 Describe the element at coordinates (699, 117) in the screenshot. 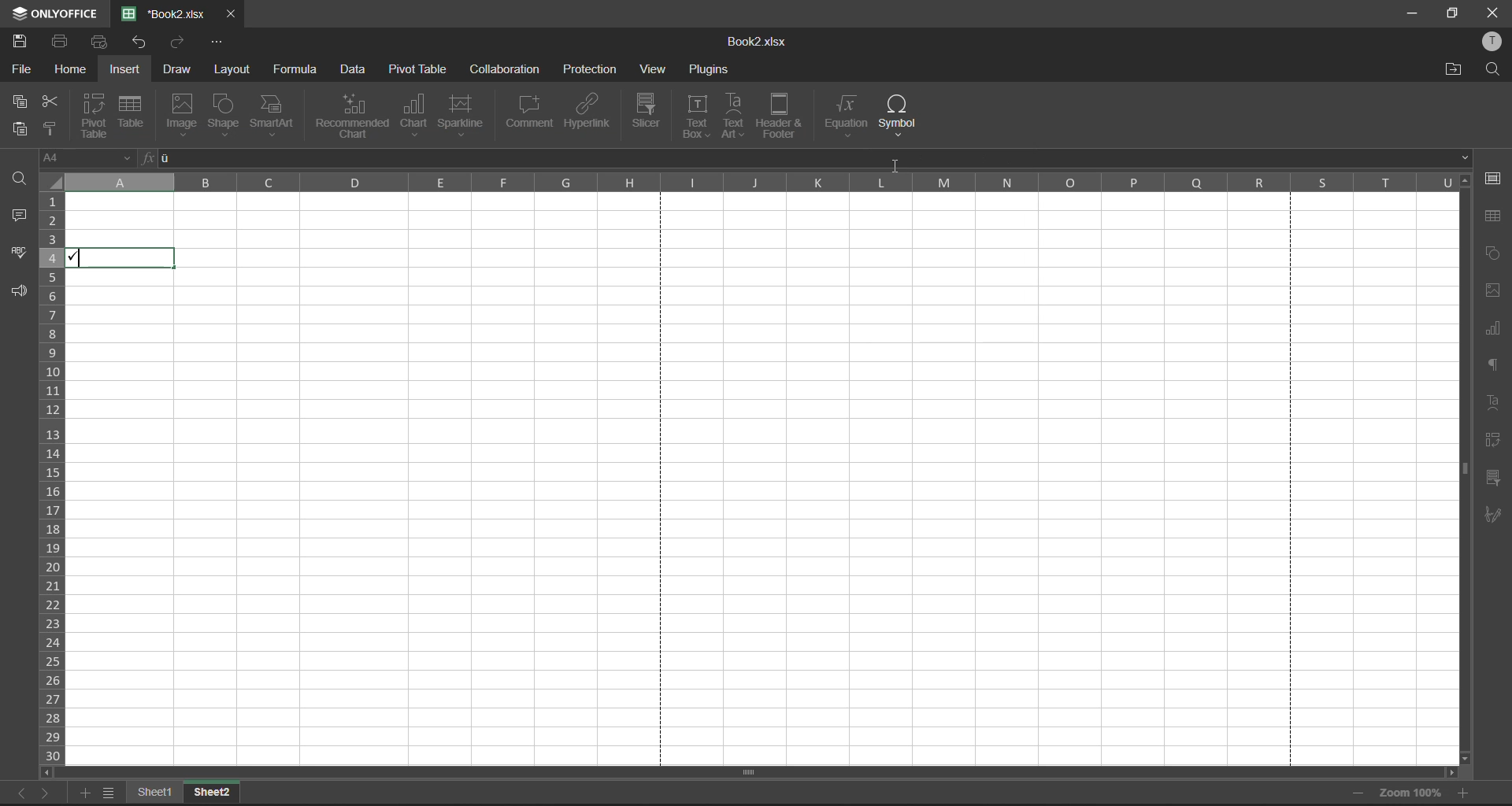

I see `text box` at that location.